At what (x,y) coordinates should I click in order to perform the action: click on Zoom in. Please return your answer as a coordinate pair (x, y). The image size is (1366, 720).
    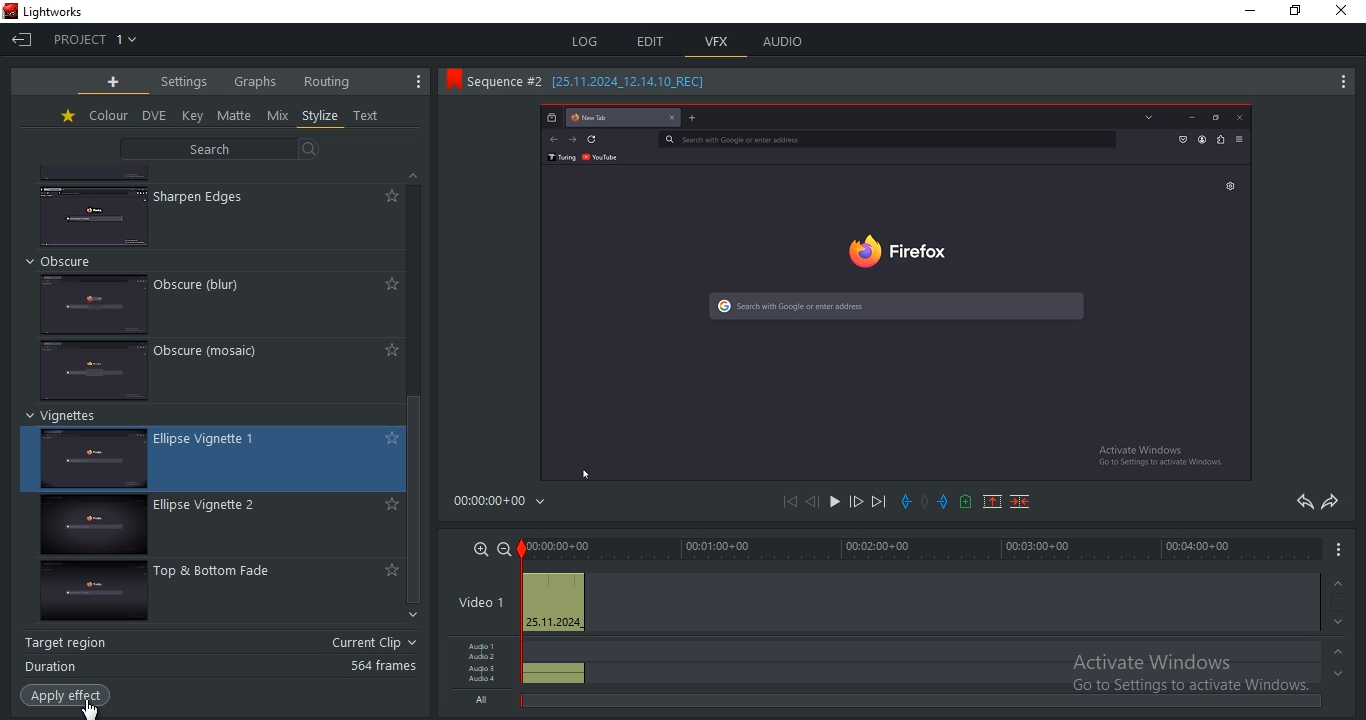
    Looking at the image, I should click on (478, 549).